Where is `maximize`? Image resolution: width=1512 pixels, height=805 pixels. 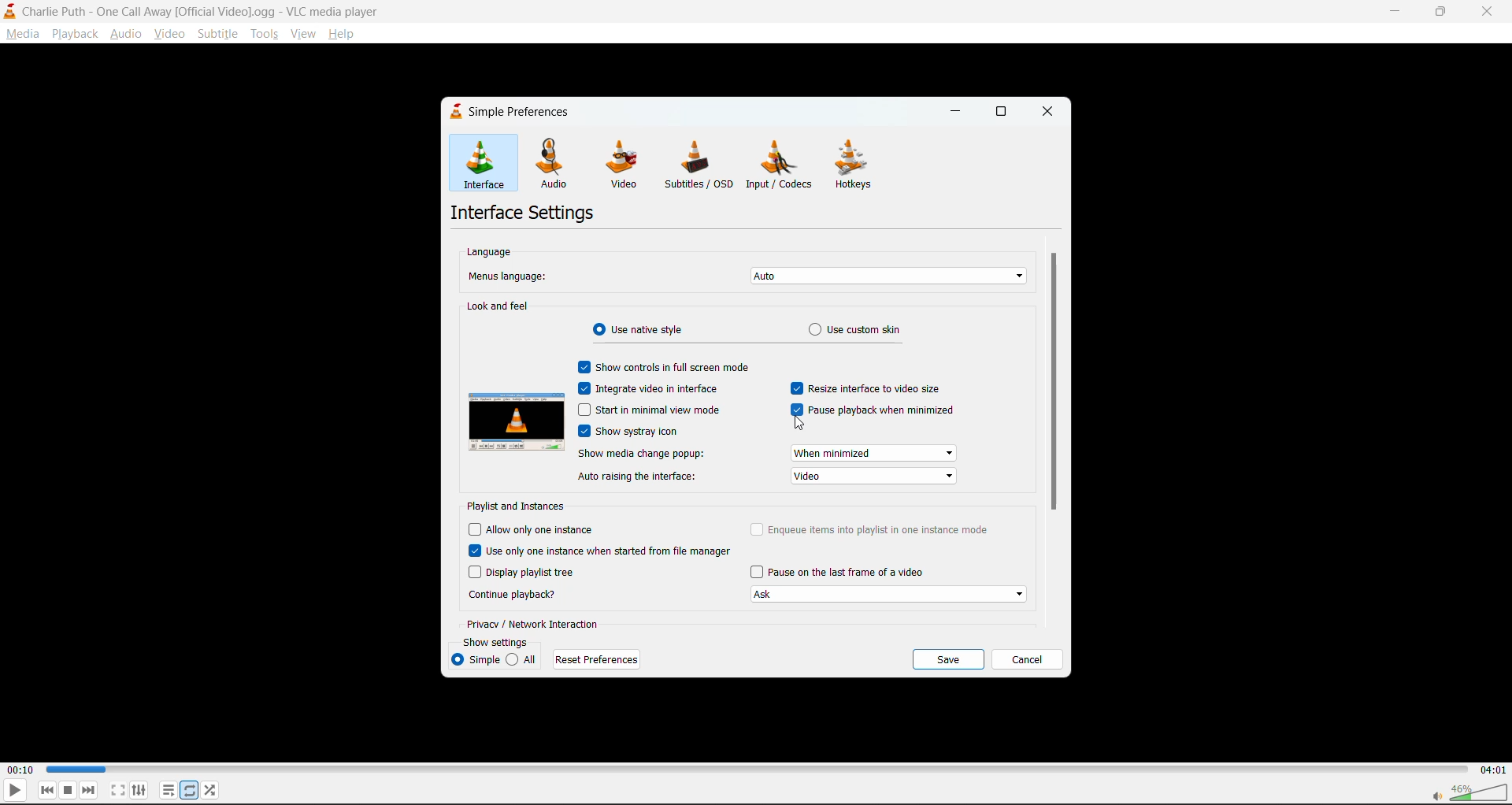 maximize is located at coordinates (1006, 115).